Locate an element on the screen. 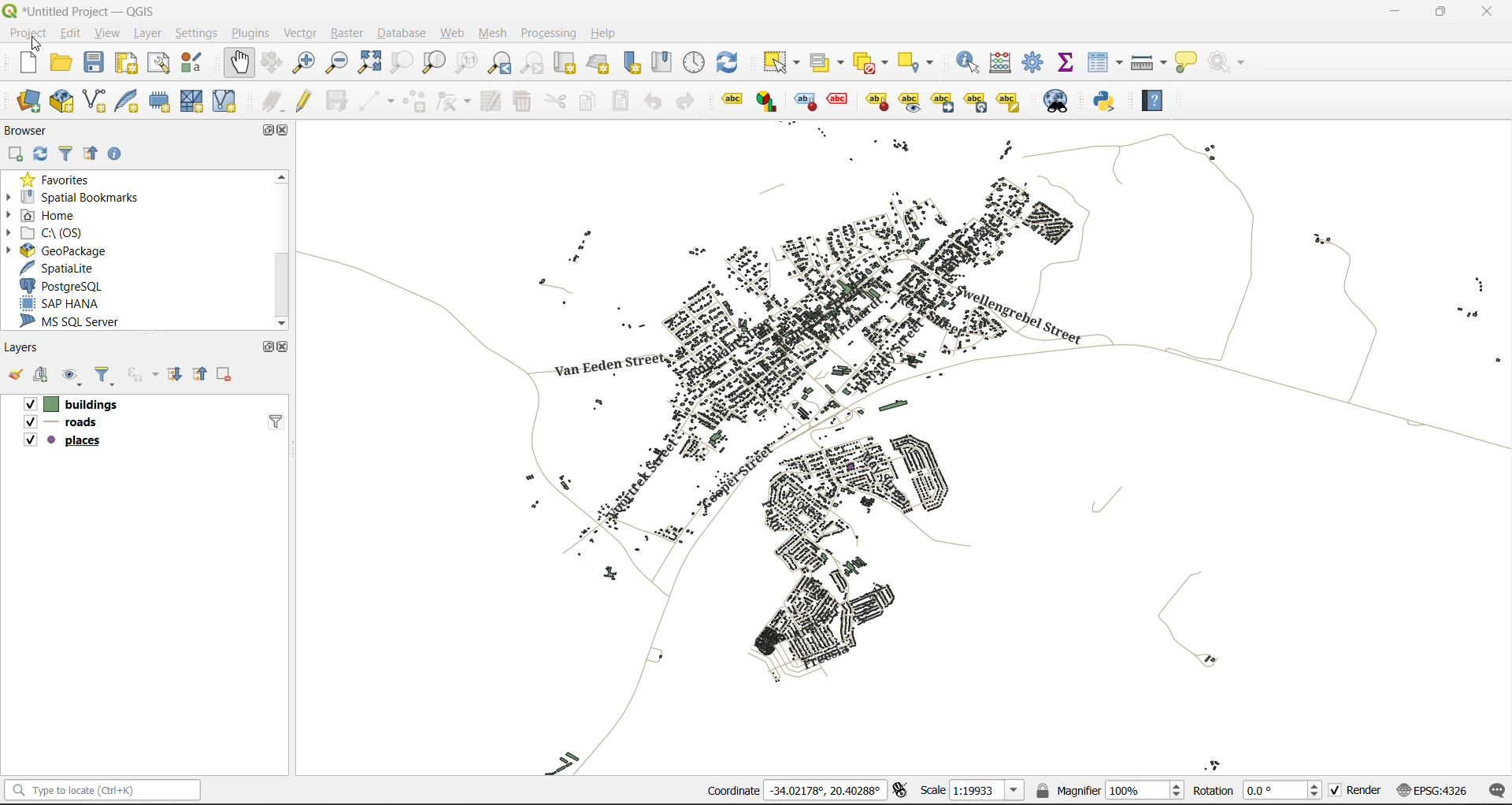 Image resolution: width=1512 pixels, height=805 pixels.  toggle display is located at coordinates (802, 101).